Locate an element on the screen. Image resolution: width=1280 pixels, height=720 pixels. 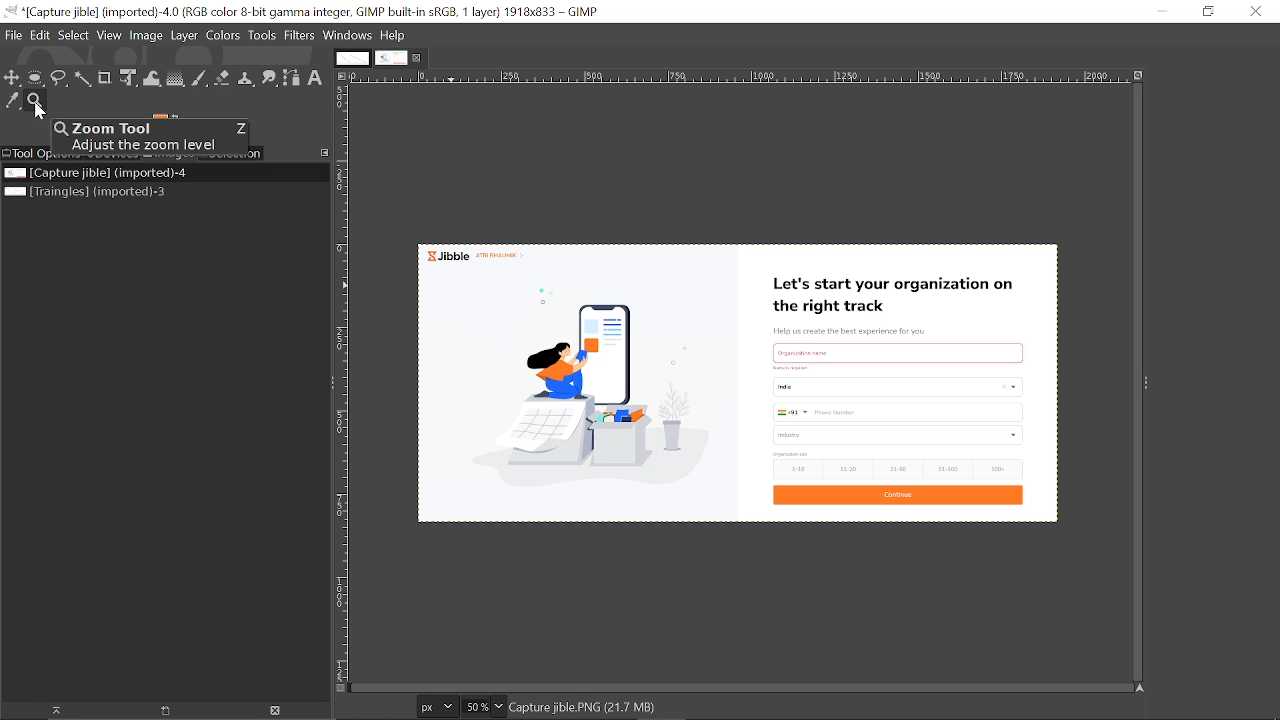
Ellipse select tool is located at coordinates (35, 80).